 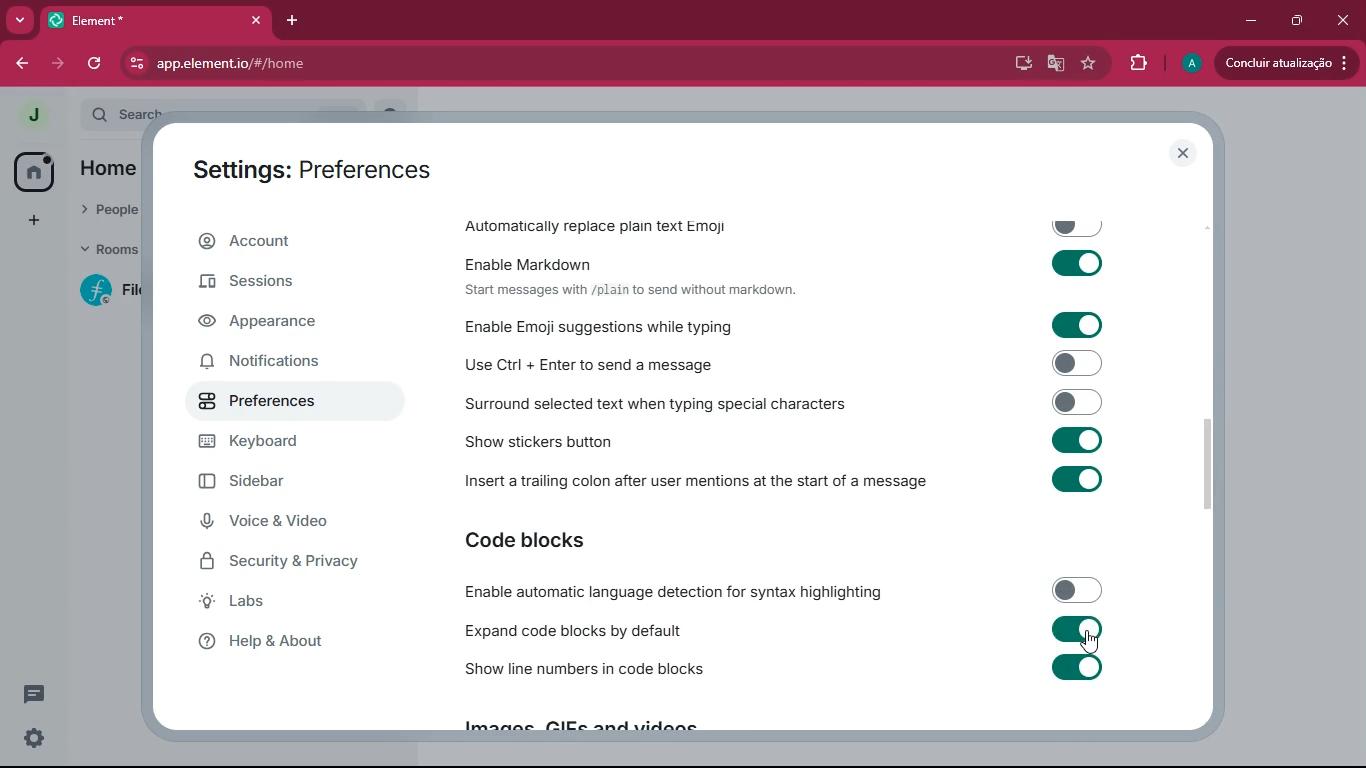 I want to click on sessions, so click(x=283, y=285).